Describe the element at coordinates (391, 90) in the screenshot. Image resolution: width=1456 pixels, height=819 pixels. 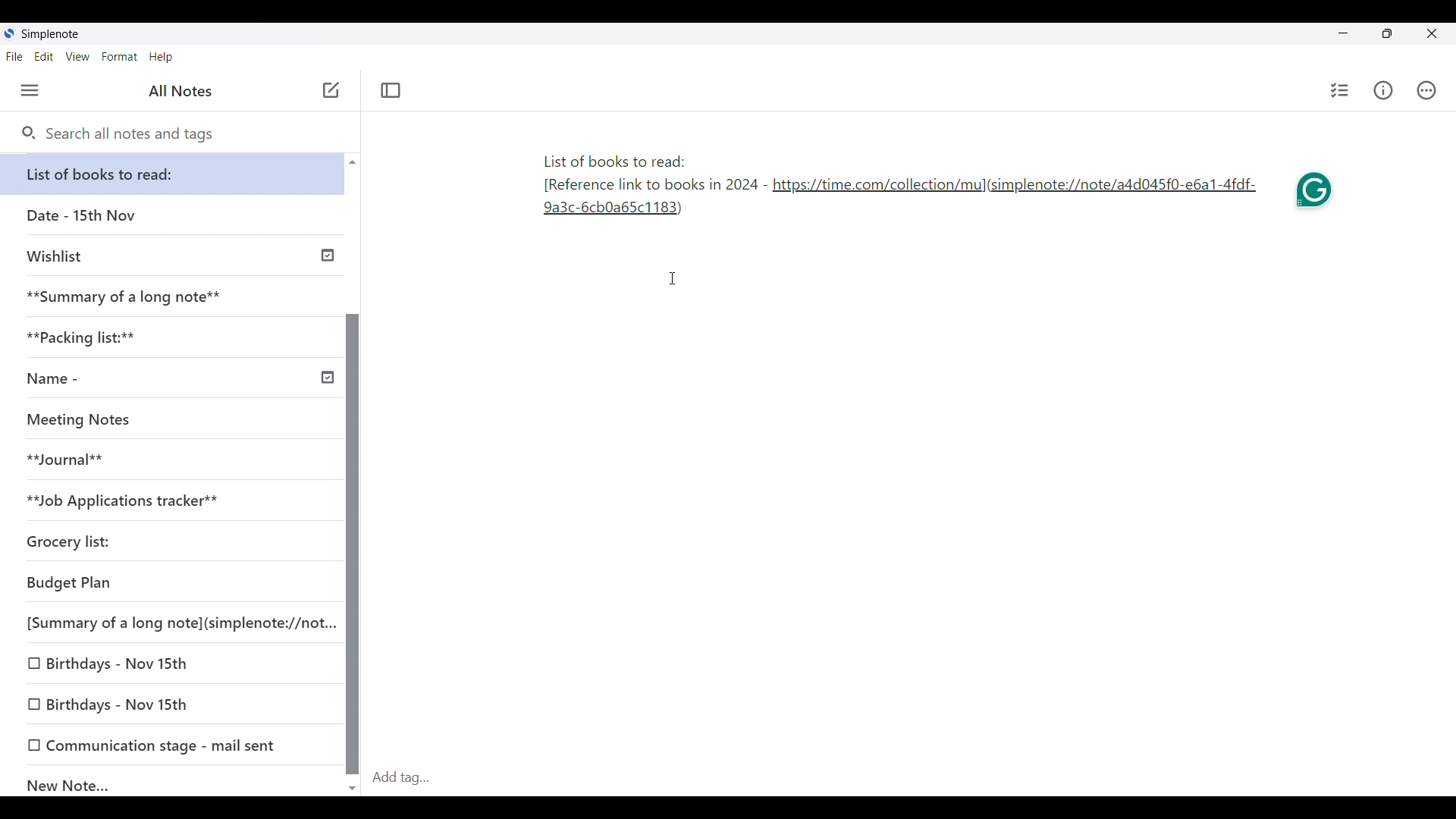
I see `Toggle focus mode` at that location.